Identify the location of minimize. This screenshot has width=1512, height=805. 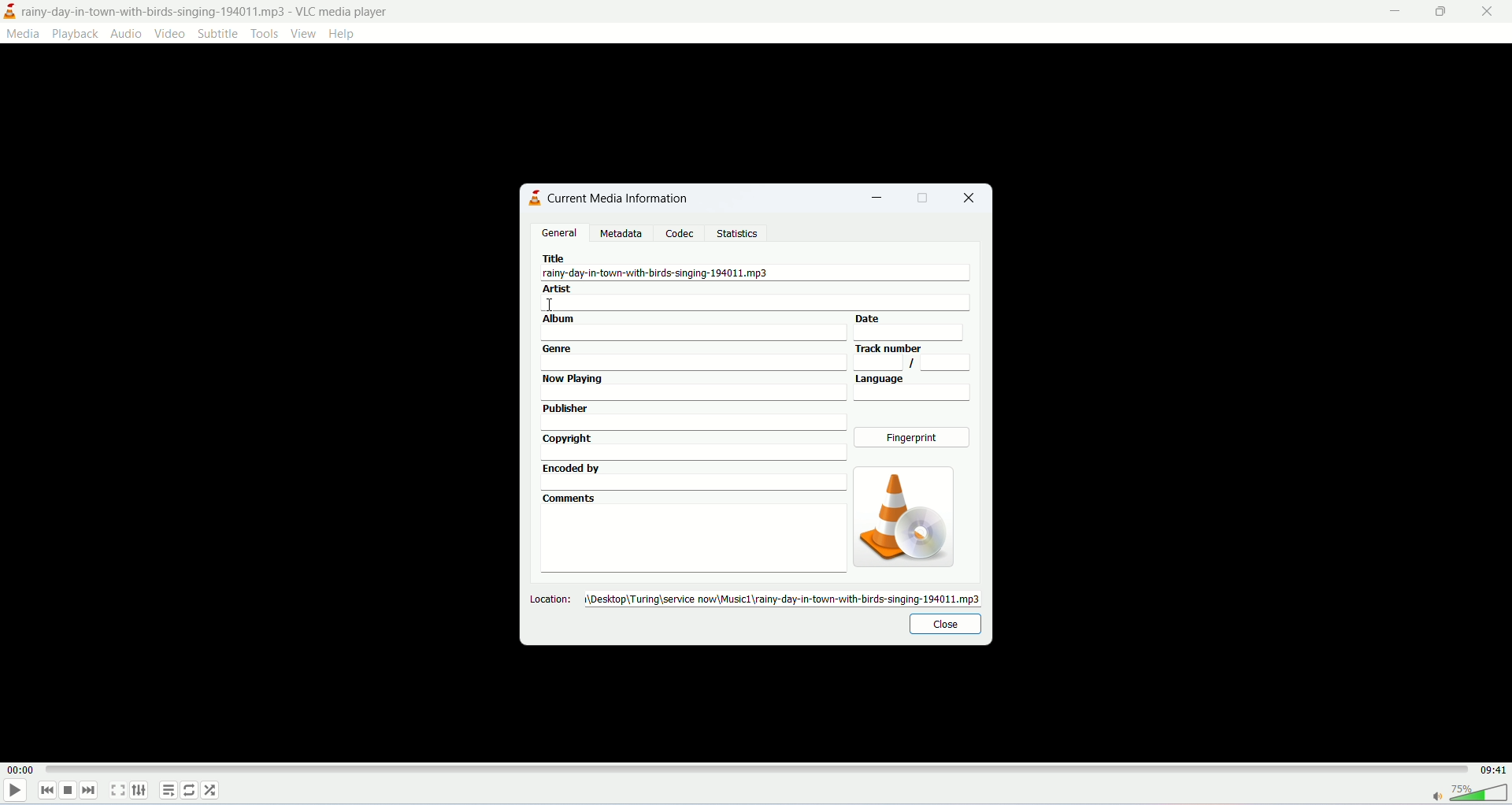
(876, 200).